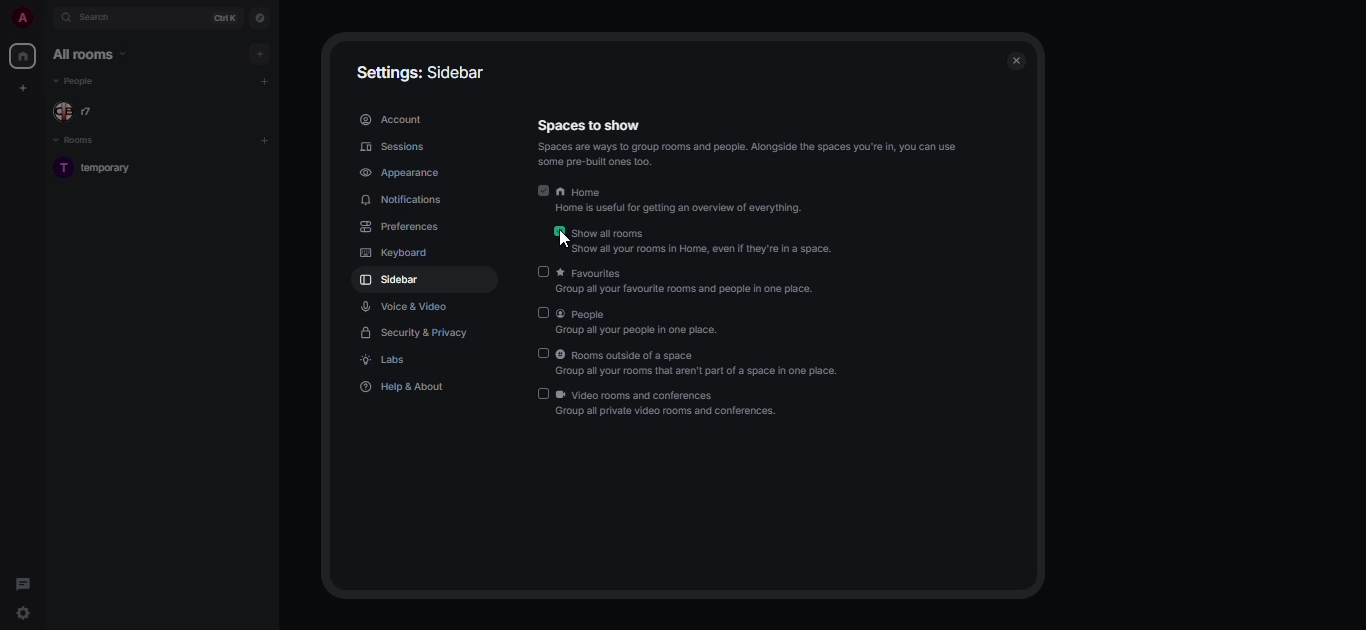 This screenshot has width=1366, height=630. I want to click on search, so click(96, 19).